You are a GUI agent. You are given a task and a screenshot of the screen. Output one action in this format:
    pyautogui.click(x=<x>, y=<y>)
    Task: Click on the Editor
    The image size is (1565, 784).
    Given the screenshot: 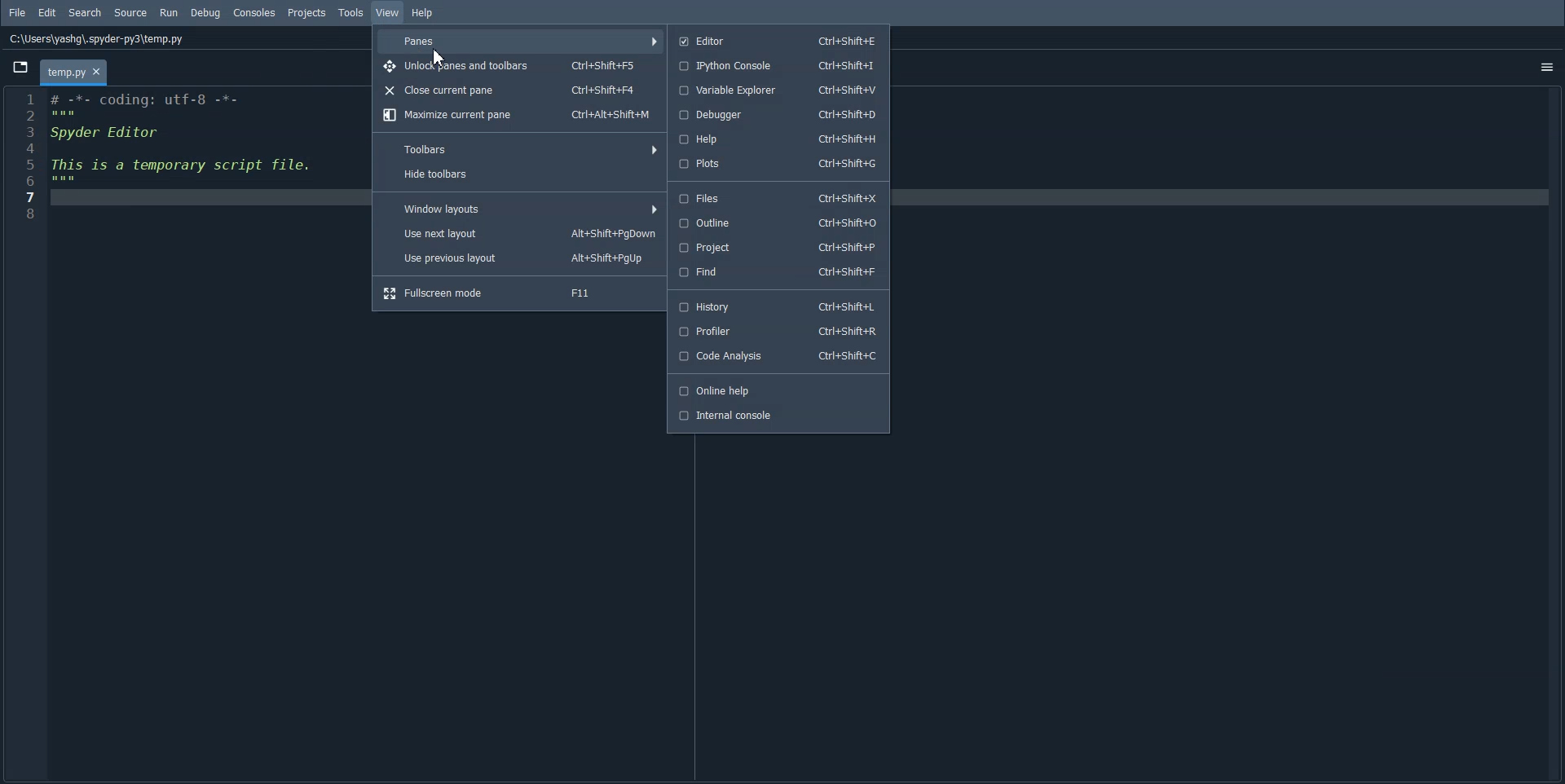 What is the action you would take?
    pyautogui.click(x=777, y=41)
    